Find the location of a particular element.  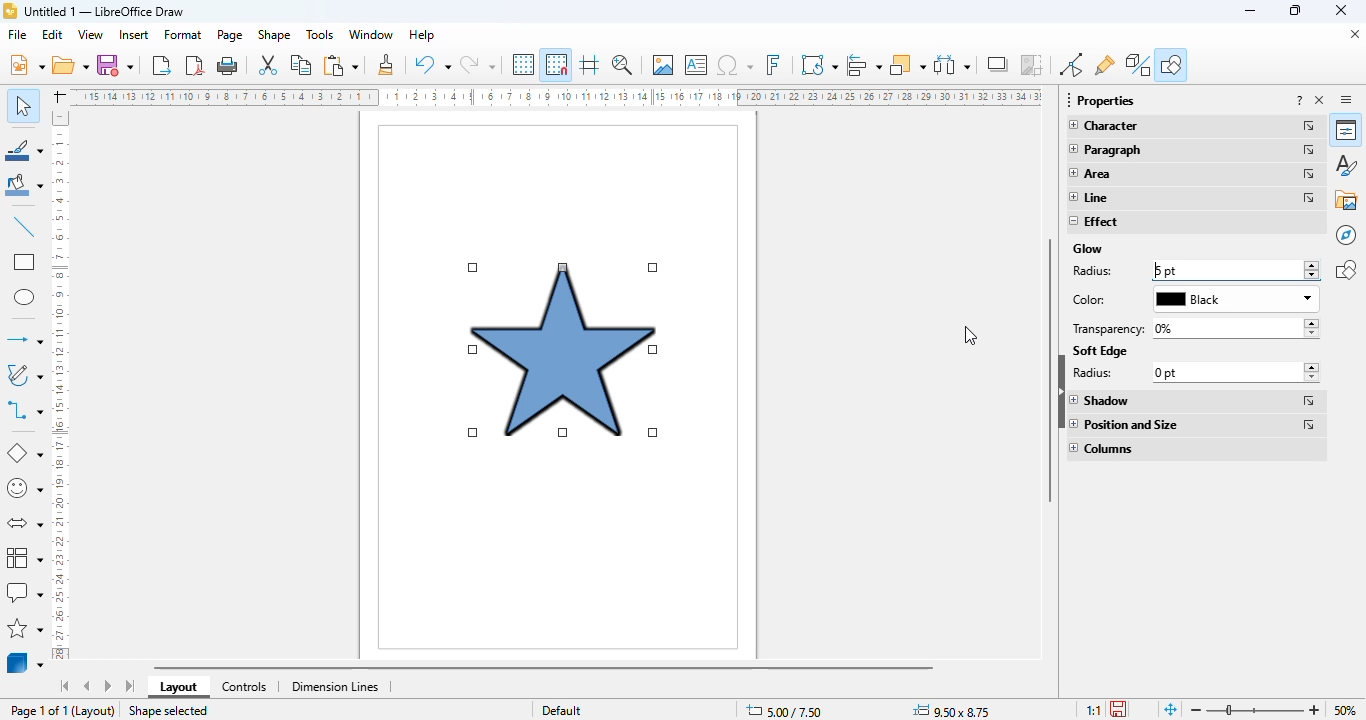

window is located at coordinates (371, 34).